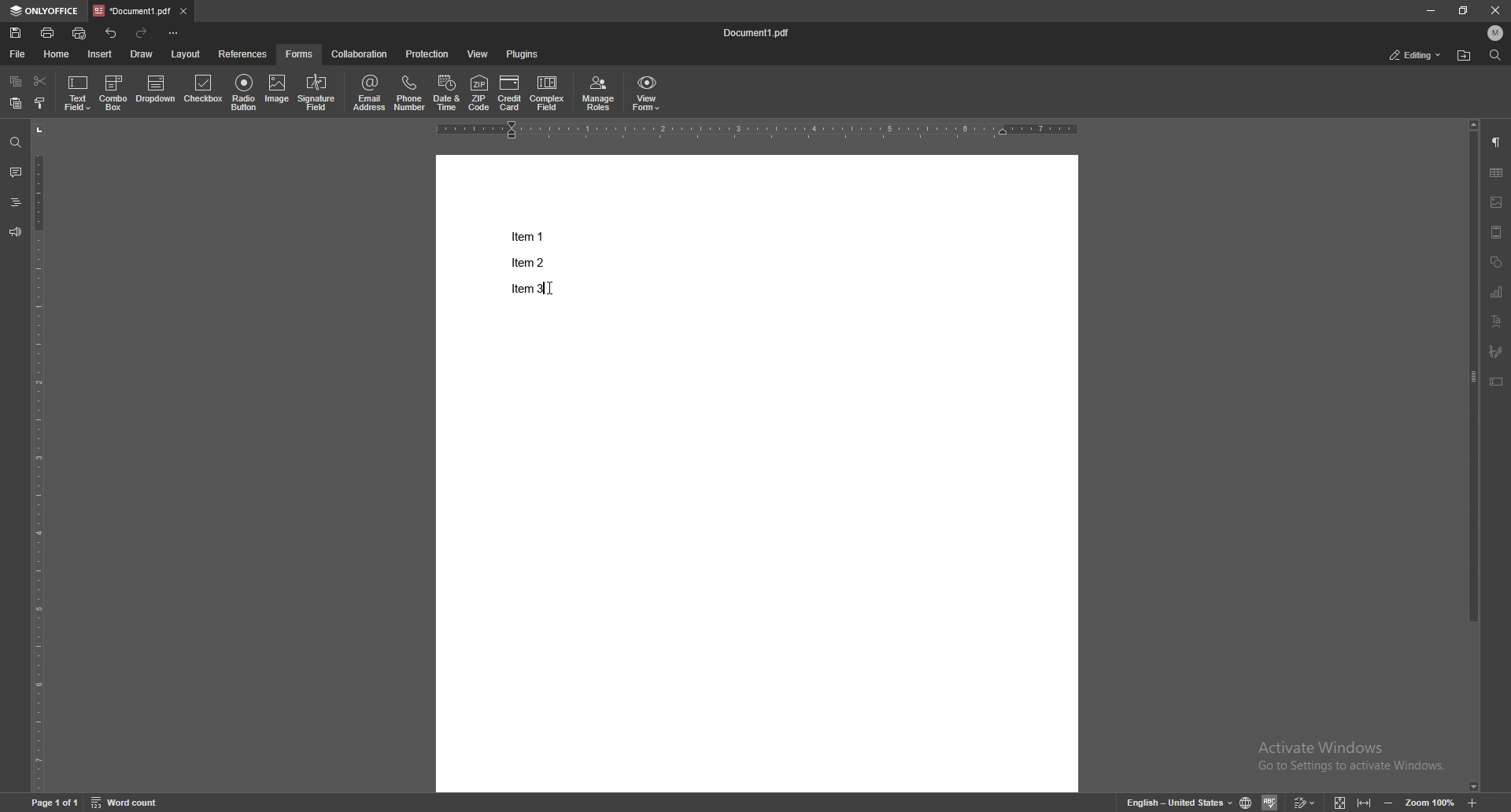  Describe the element at coordinates (48, 32) in the screenshot. I see `print` at that location.